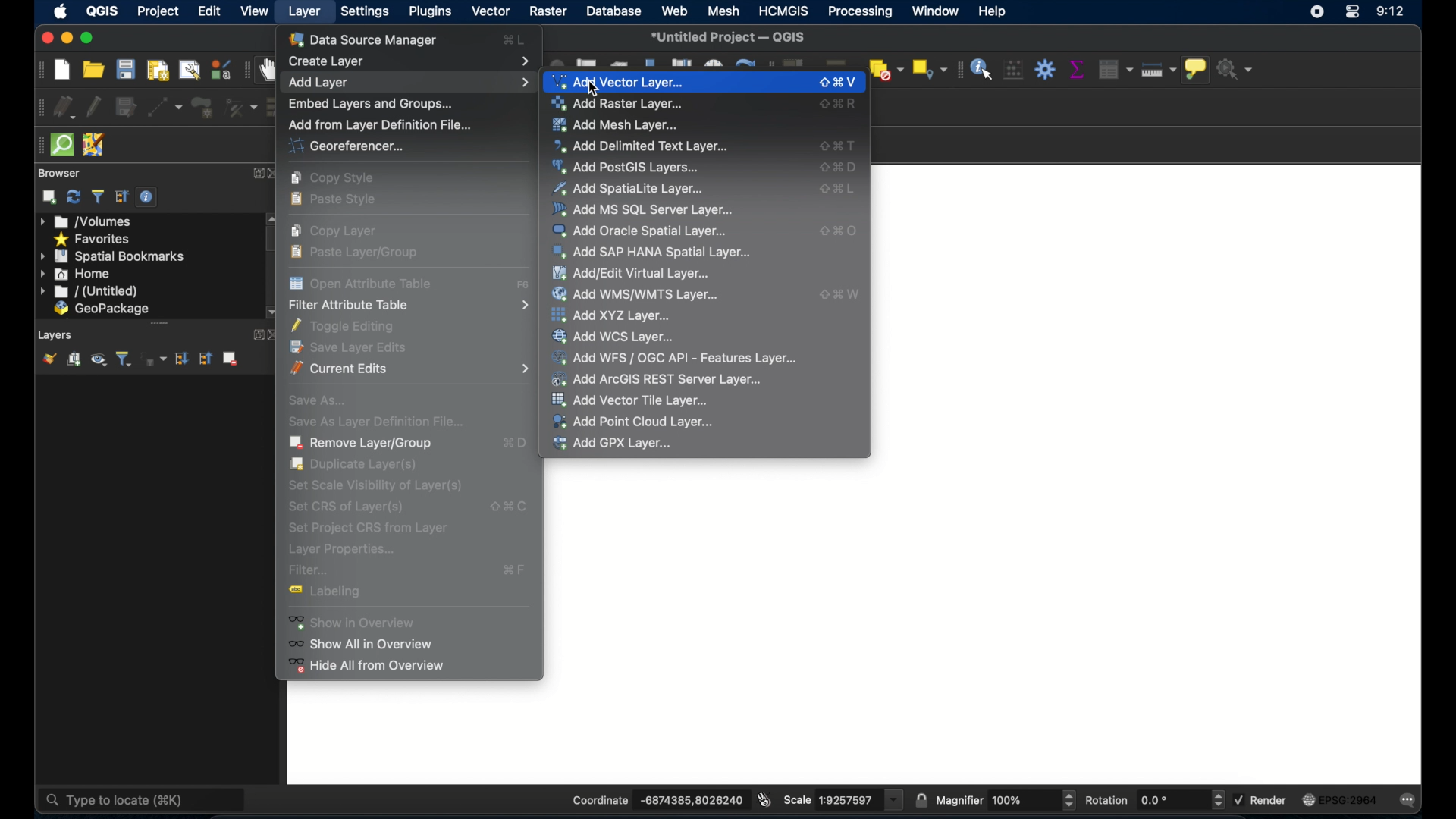 The height and width of the screenshot is (819, 1456). Describe the element at coordinates (930, 69) in the screenshot. I see `select by location` at that location.